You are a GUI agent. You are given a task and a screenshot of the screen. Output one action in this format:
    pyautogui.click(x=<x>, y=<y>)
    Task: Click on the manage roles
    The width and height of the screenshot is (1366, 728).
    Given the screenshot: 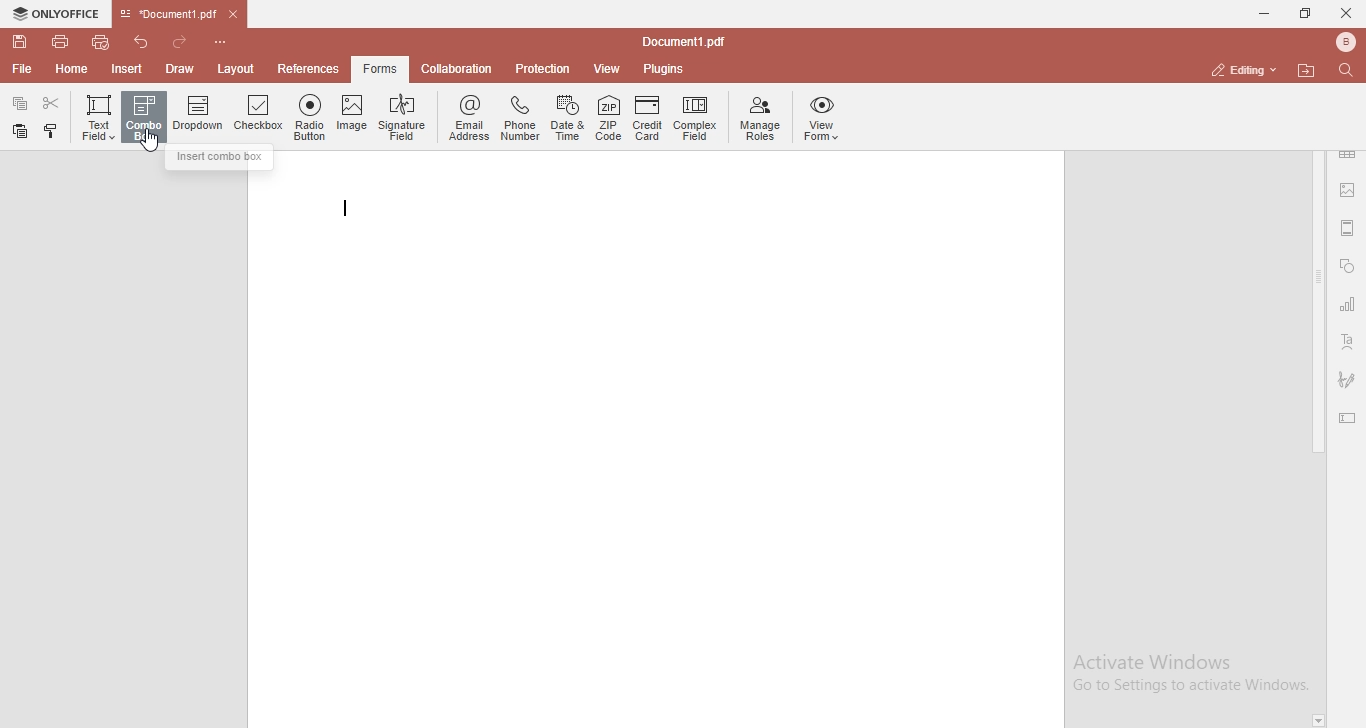 What is the action you would take?
    pyautogui.click(x=760, y=118)
    